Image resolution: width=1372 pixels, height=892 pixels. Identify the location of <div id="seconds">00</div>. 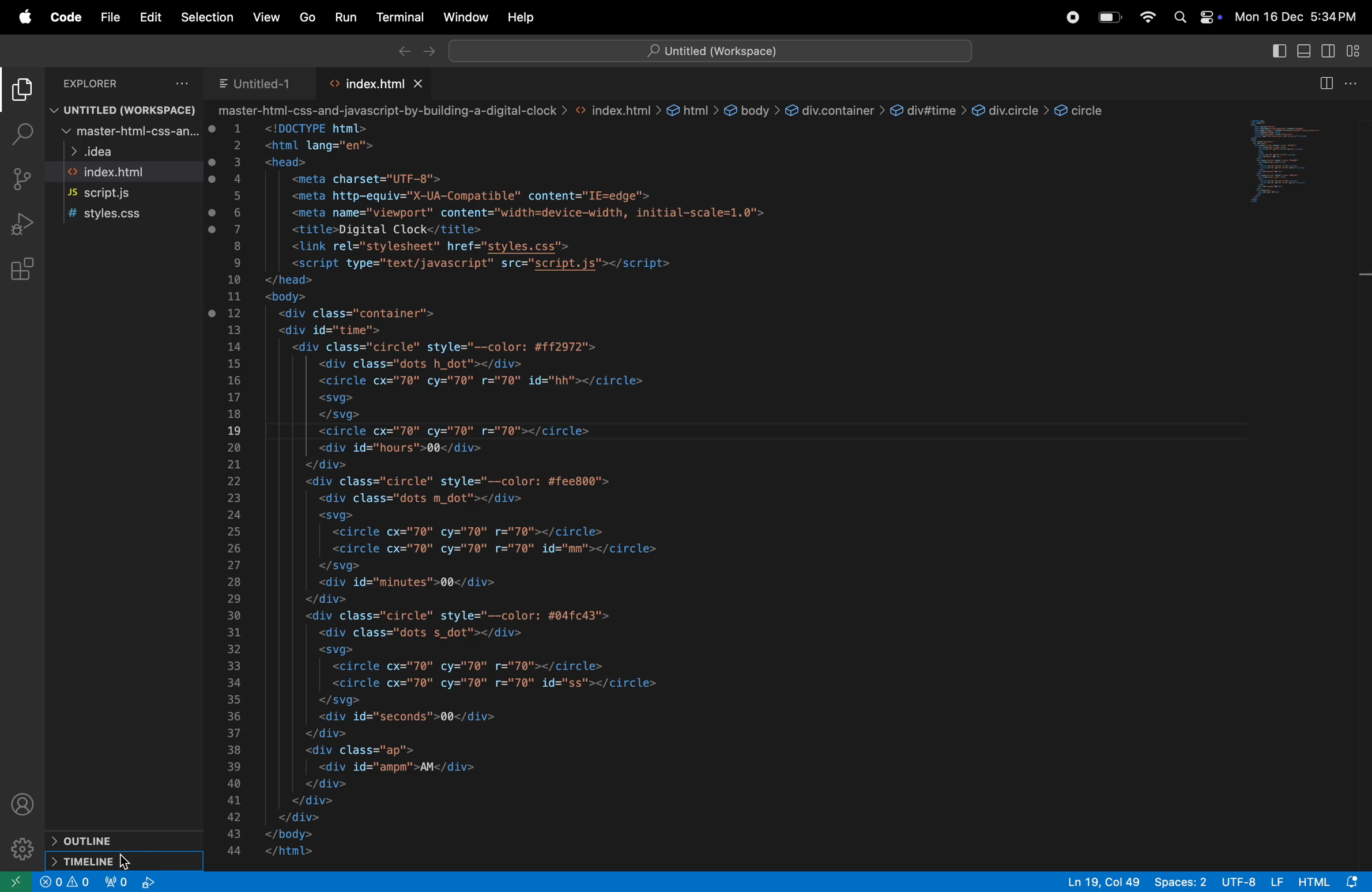
(413, 717).